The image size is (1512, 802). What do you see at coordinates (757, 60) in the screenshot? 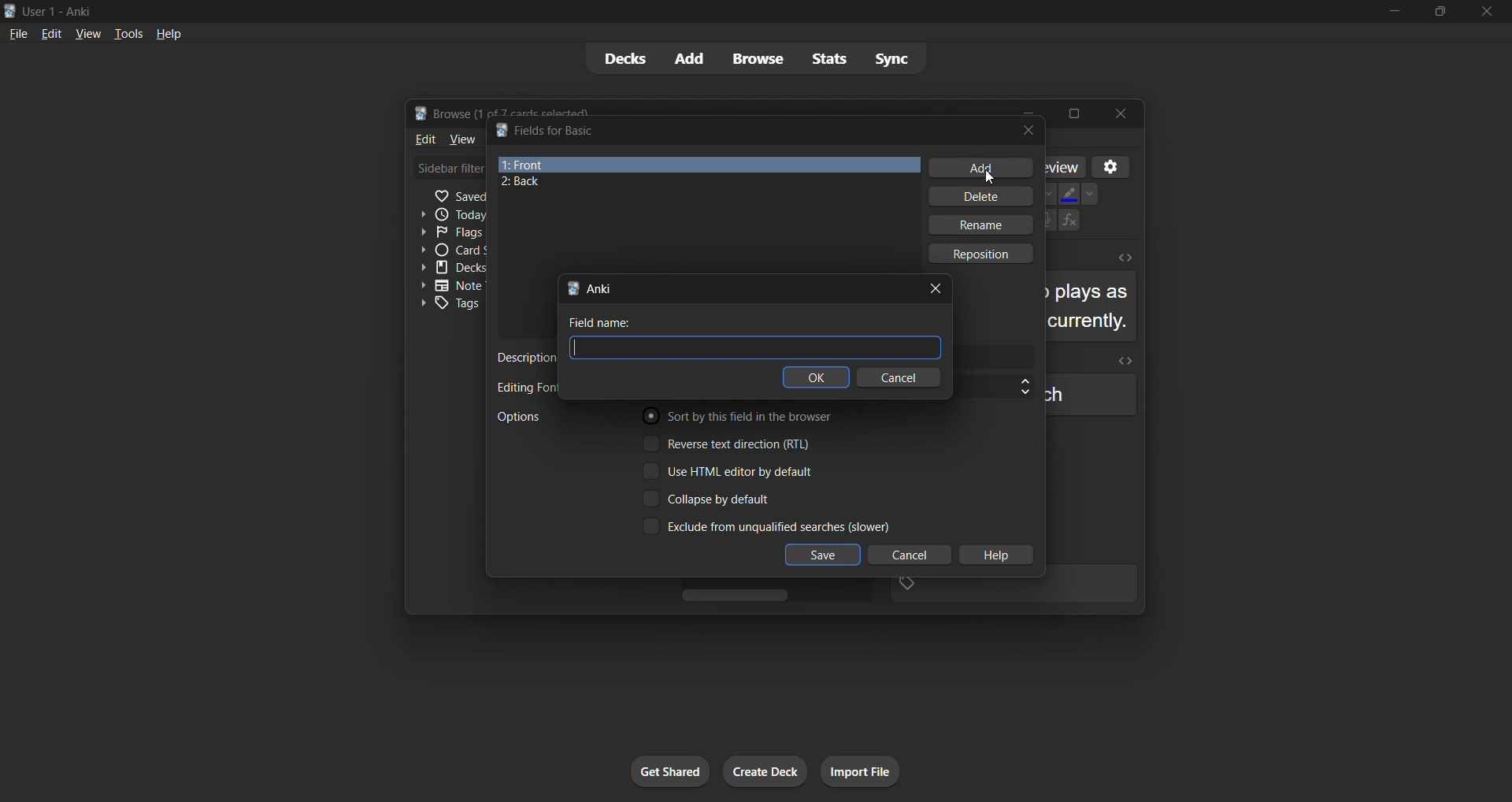
I see `browse` at bounding box center [757, 60].